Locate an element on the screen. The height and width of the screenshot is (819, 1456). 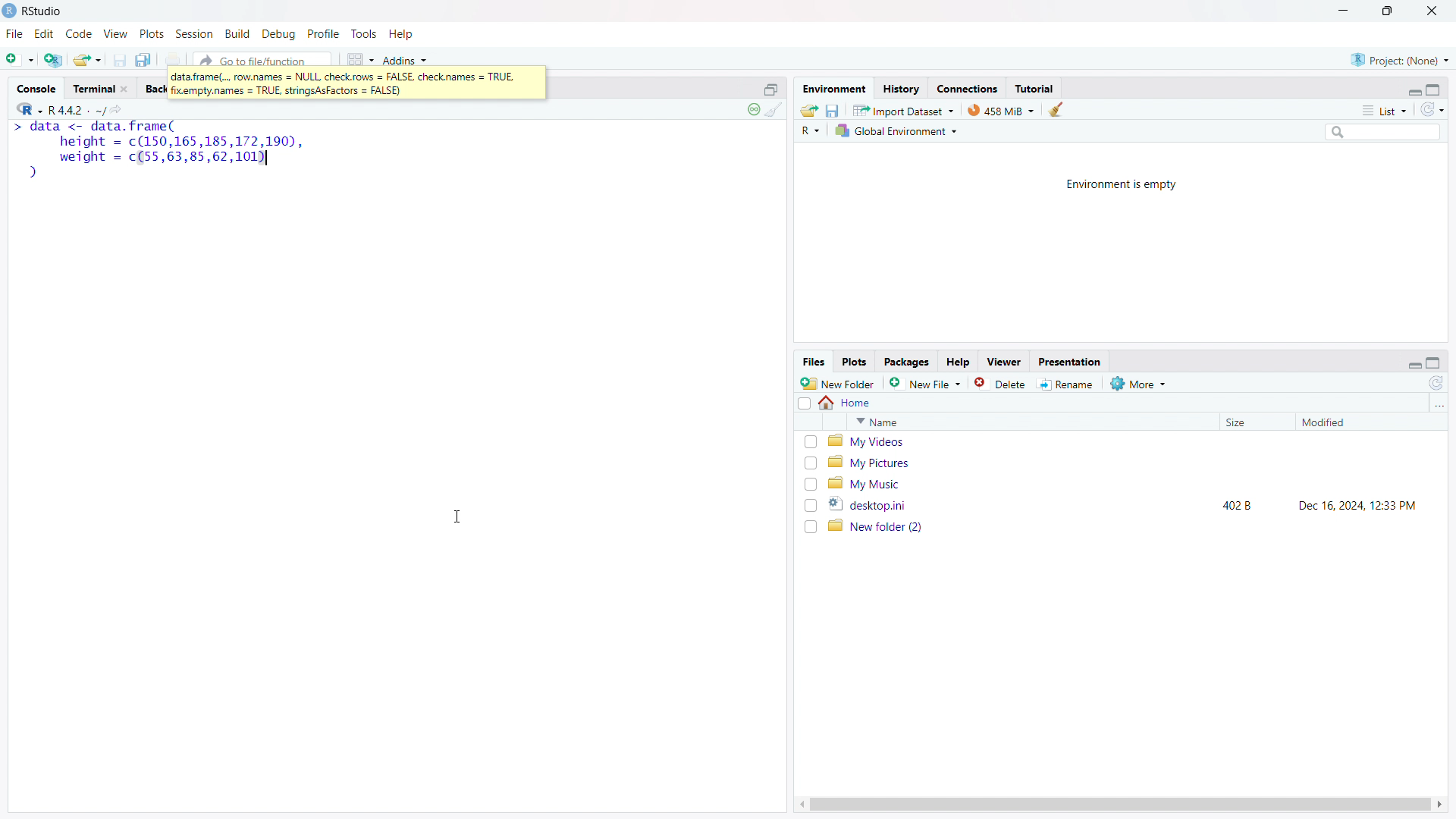
delete is located at coordinates (1002, 383).